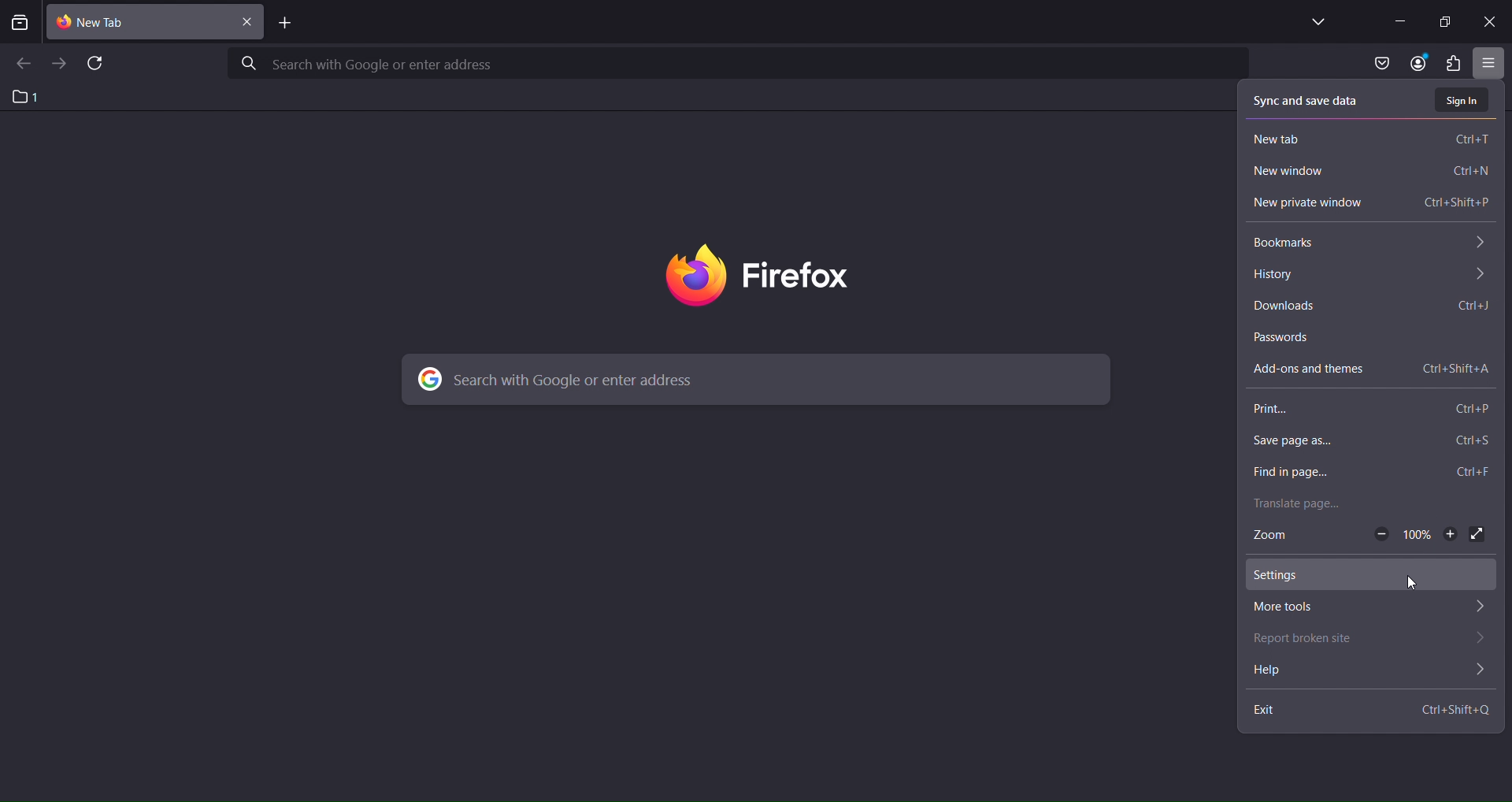  Describe the element at coordinates (1369, 273) in the screenshot. I see `history` at that location.